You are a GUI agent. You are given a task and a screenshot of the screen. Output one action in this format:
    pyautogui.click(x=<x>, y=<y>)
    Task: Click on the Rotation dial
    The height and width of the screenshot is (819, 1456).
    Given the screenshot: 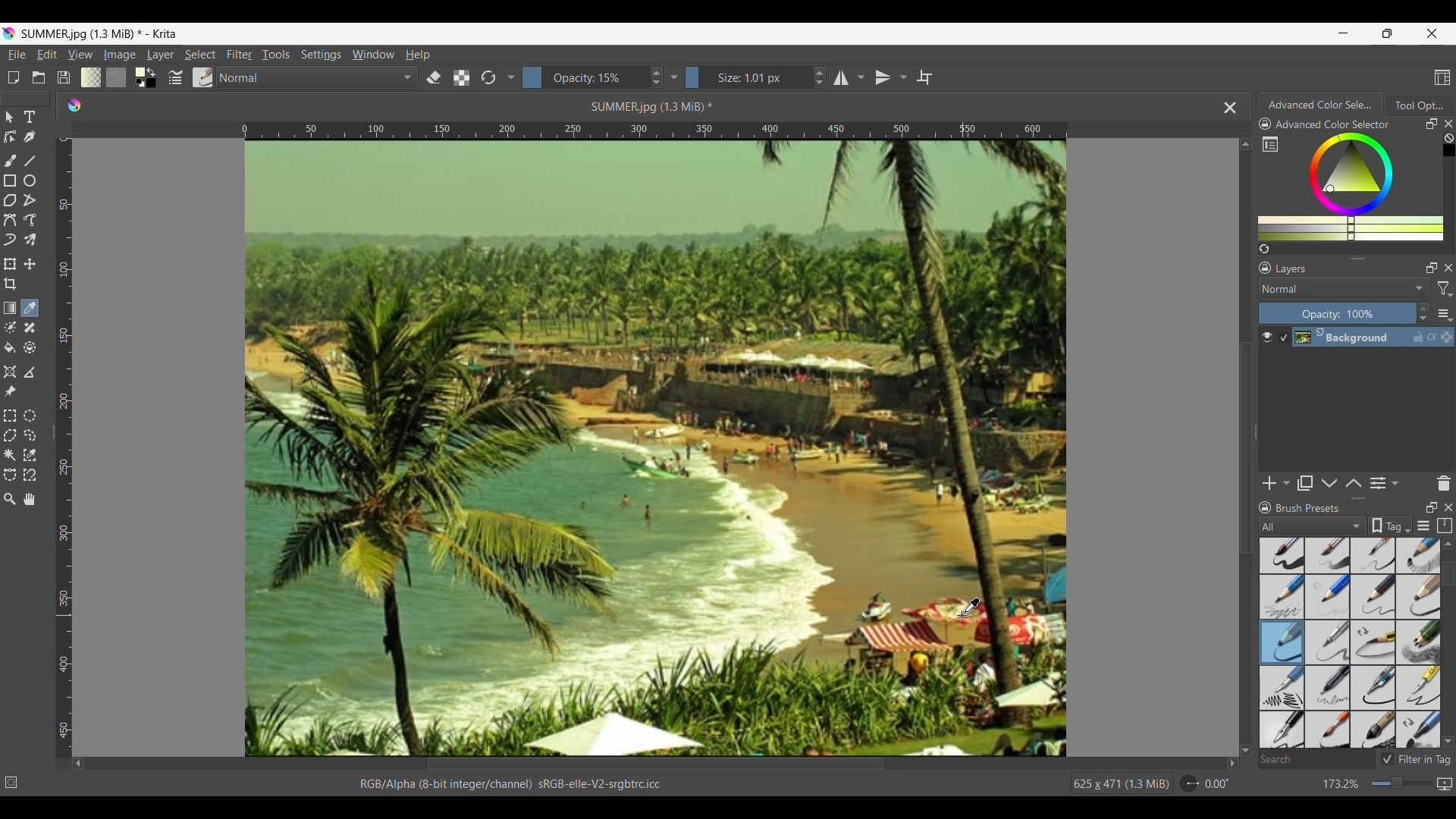 What is the action you would take?
    pyautogui.click(x=1189, y=784)
    